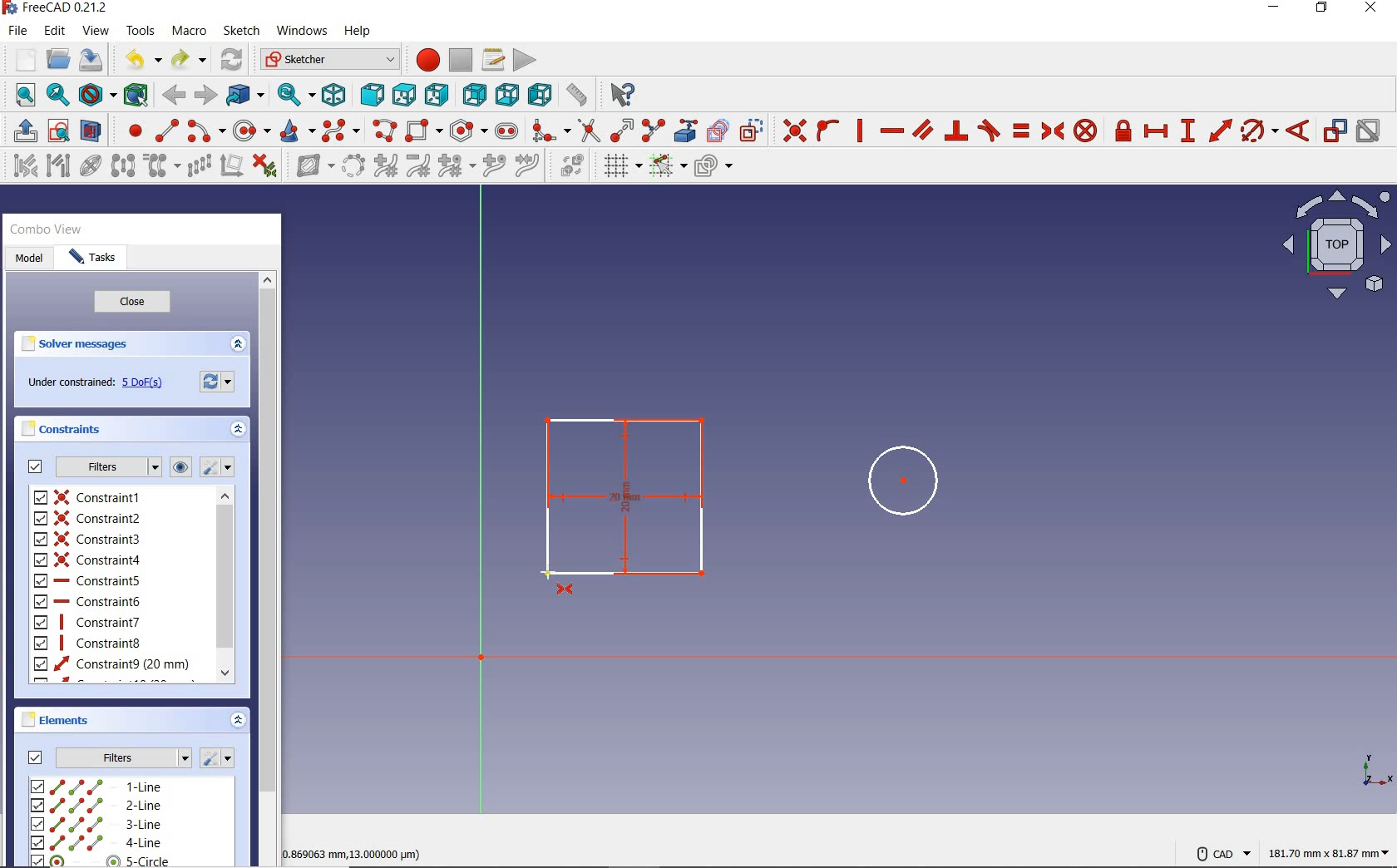 The width and height of the screenshot is (1397, 868). What do you see at coordinates (190, 30) in the screenshot?
I see `macro` at bounding box center [190, 30].